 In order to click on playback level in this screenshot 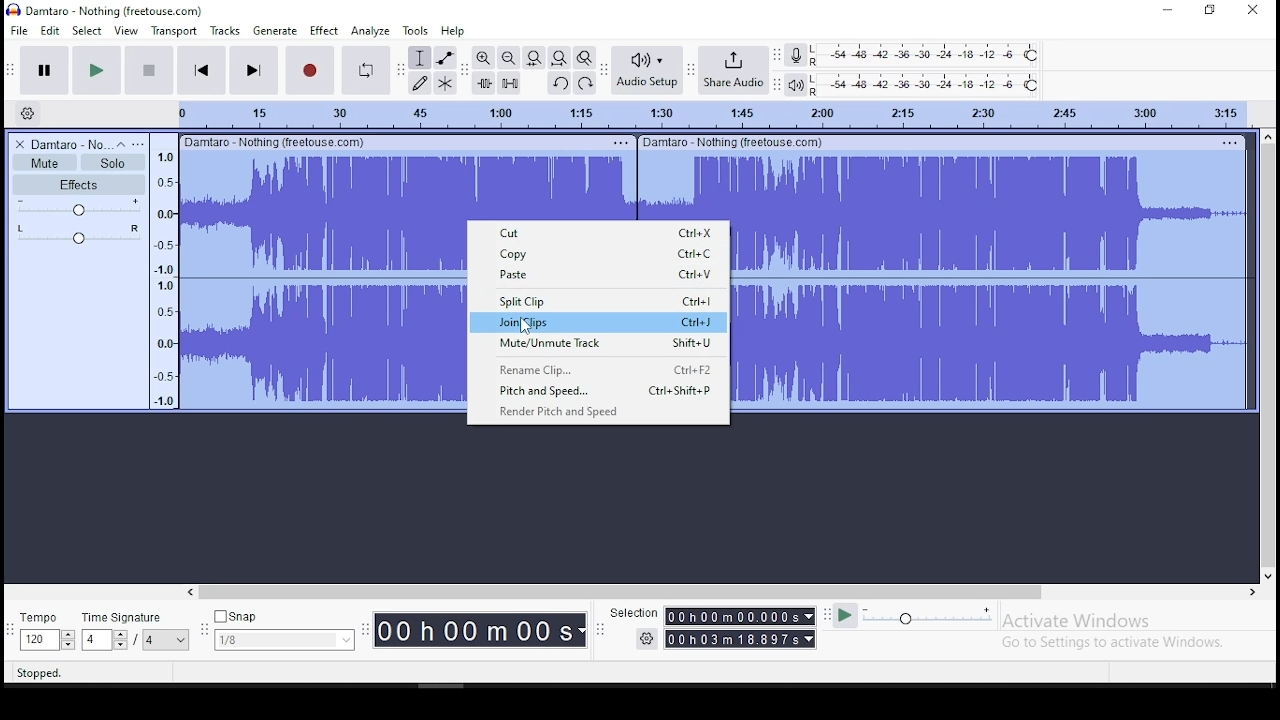, I will do `click(930, 83)`.